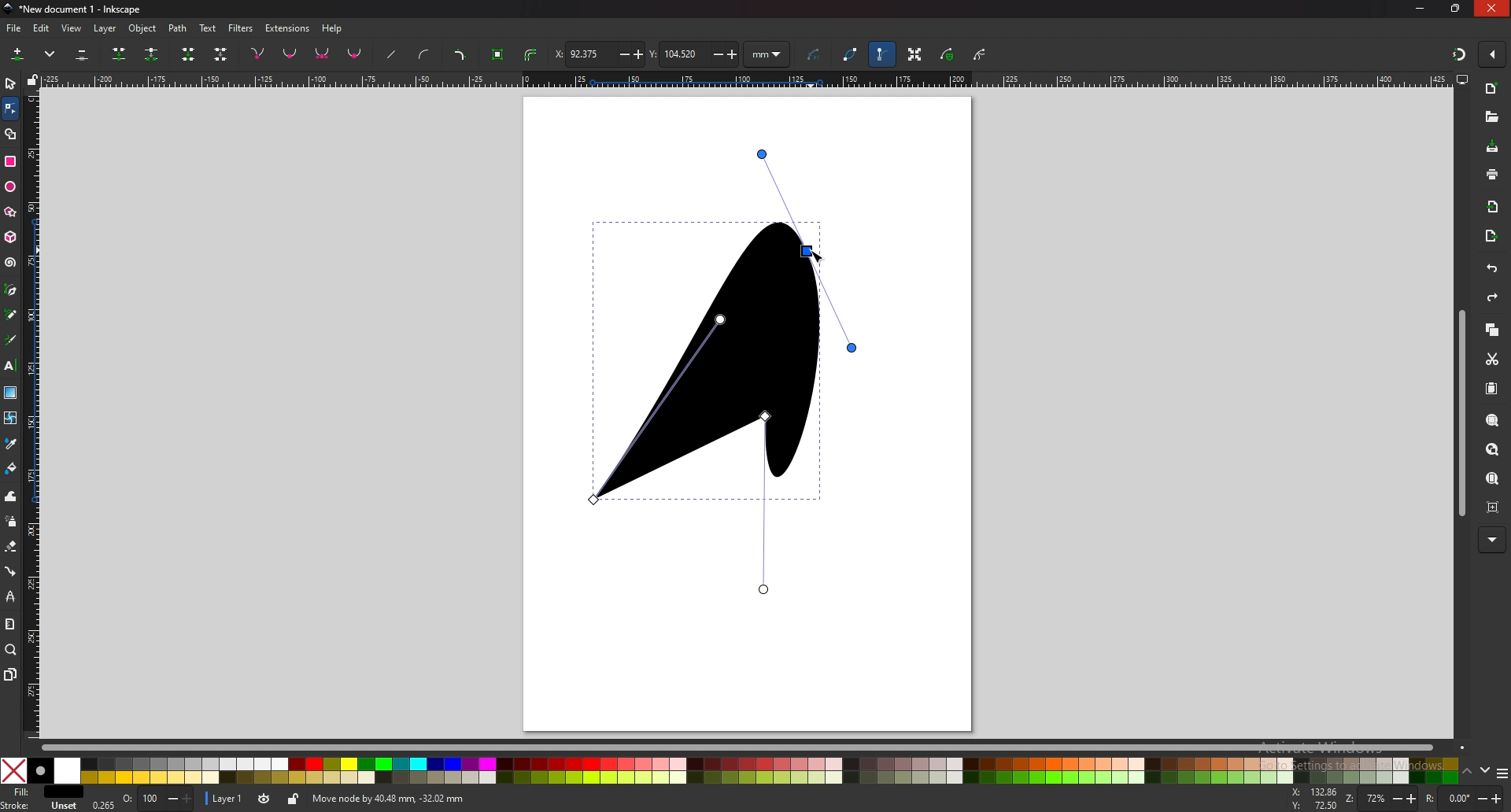  Describe the element at coordinates (767, 54) in the screenshot. I see `units` at that location.